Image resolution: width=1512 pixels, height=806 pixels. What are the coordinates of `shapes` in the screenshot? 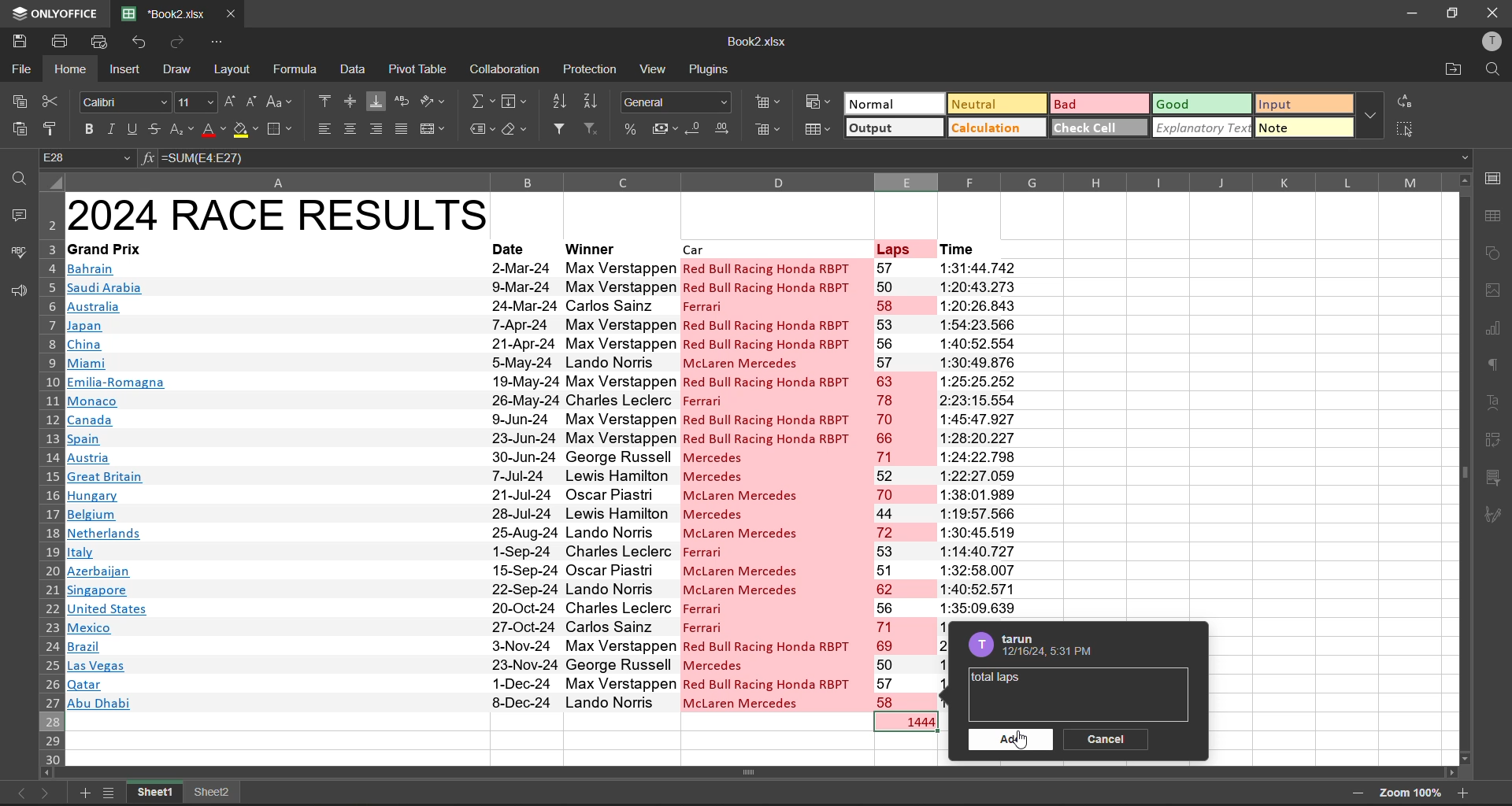 It's located at (1494, 252).